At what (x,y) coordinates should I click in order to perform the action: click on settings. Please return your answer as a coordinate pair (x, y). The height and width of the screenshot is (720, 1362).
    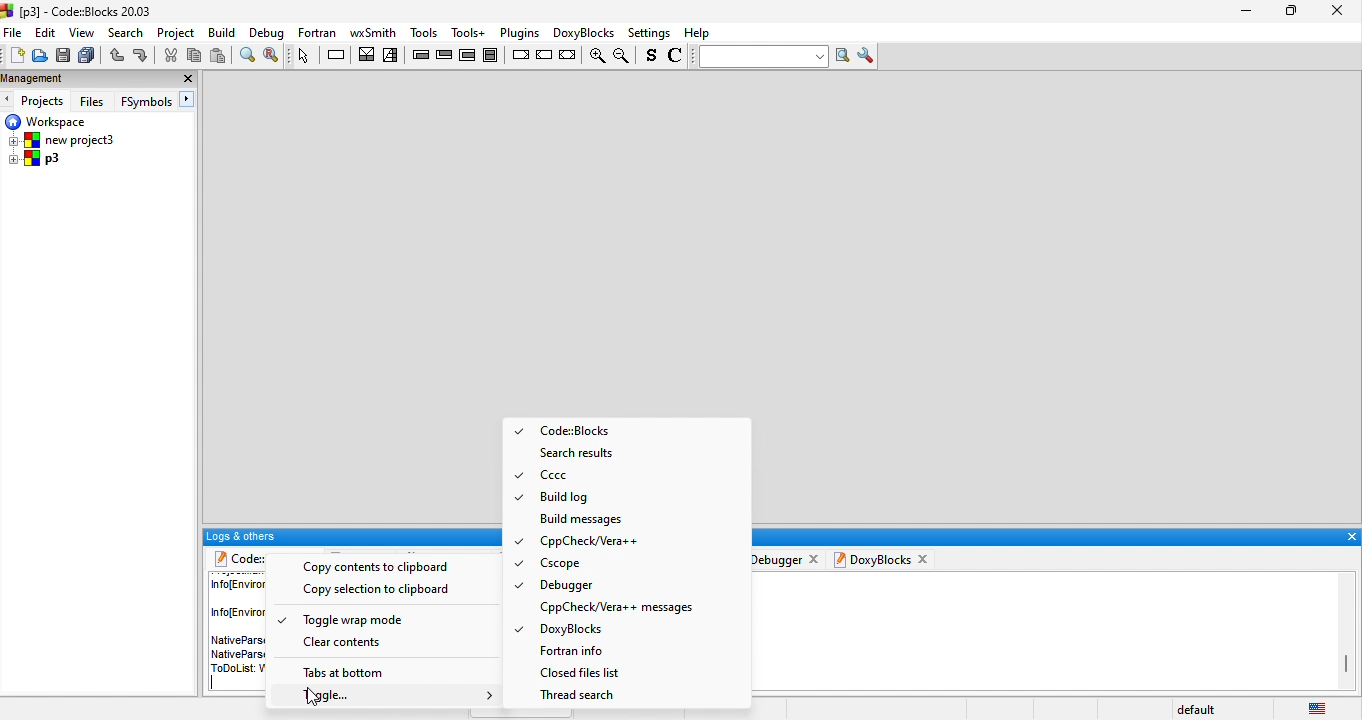
    Looking at the image, I should click on (650, 34).